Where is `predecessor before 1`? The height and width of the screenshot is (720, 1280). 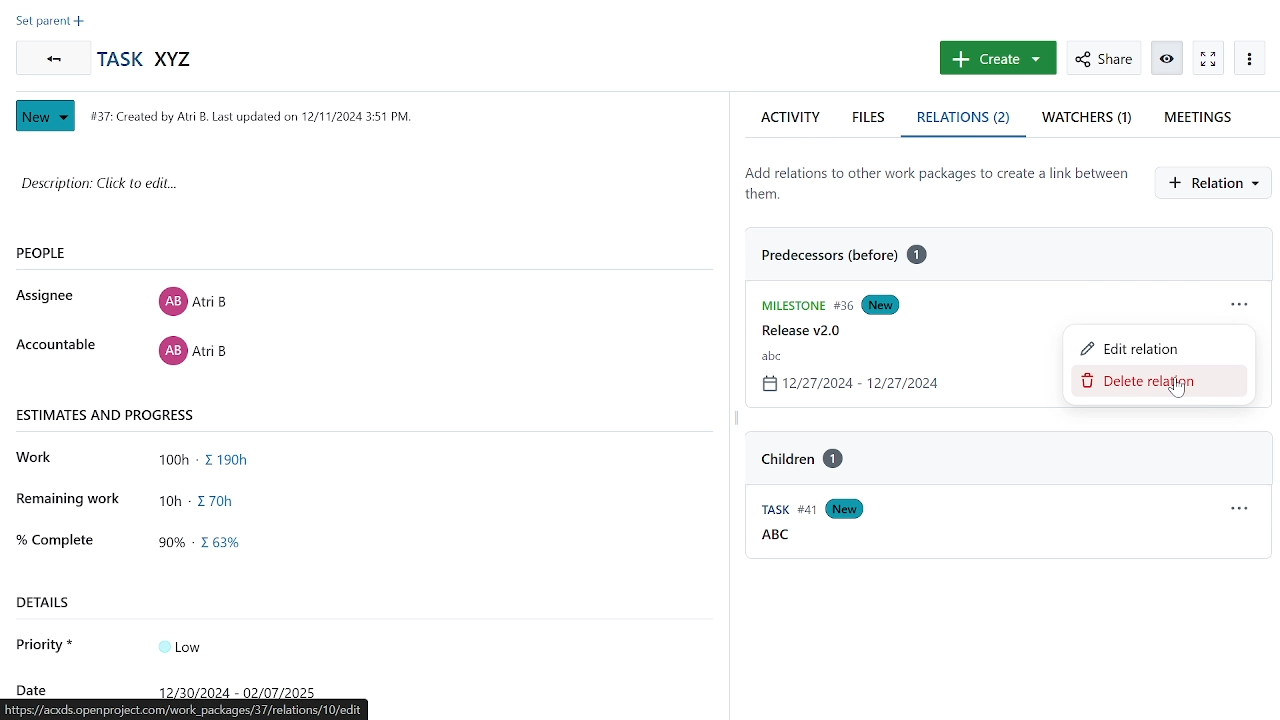
predecessor before 1 is located at coordinates (852, 256).